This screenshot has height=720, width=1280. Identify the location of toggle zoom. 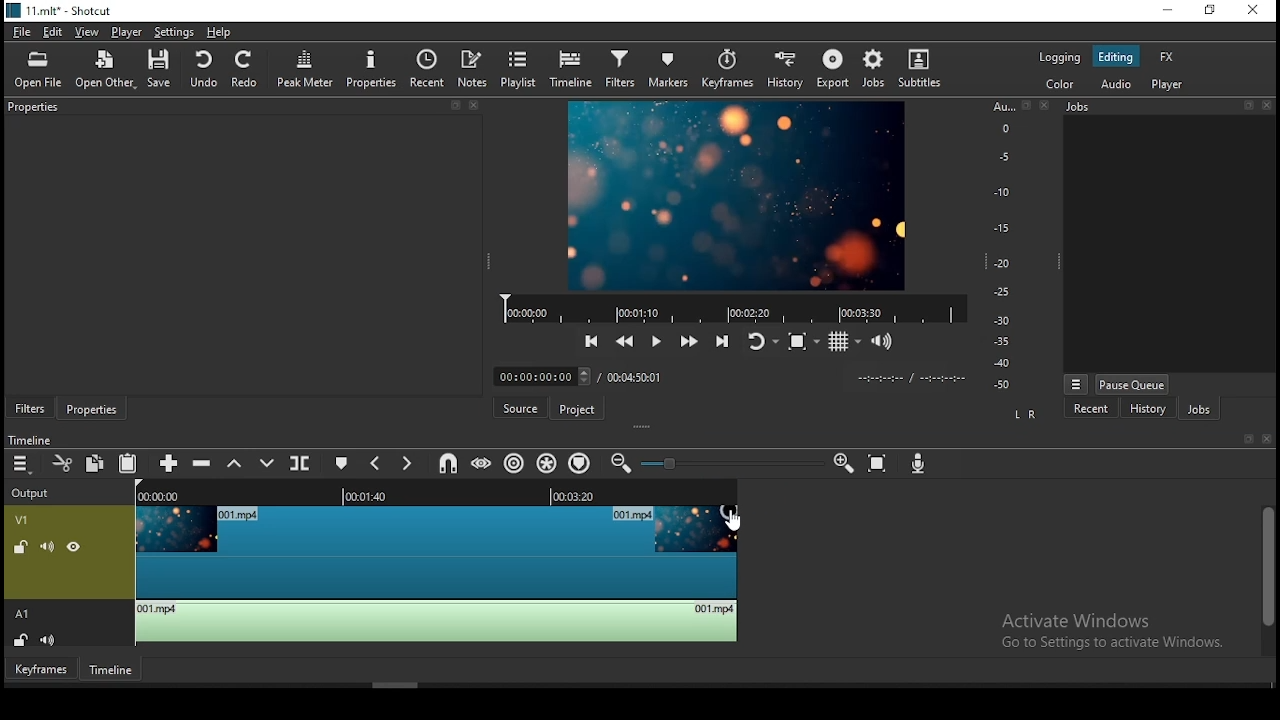
(802, 346).